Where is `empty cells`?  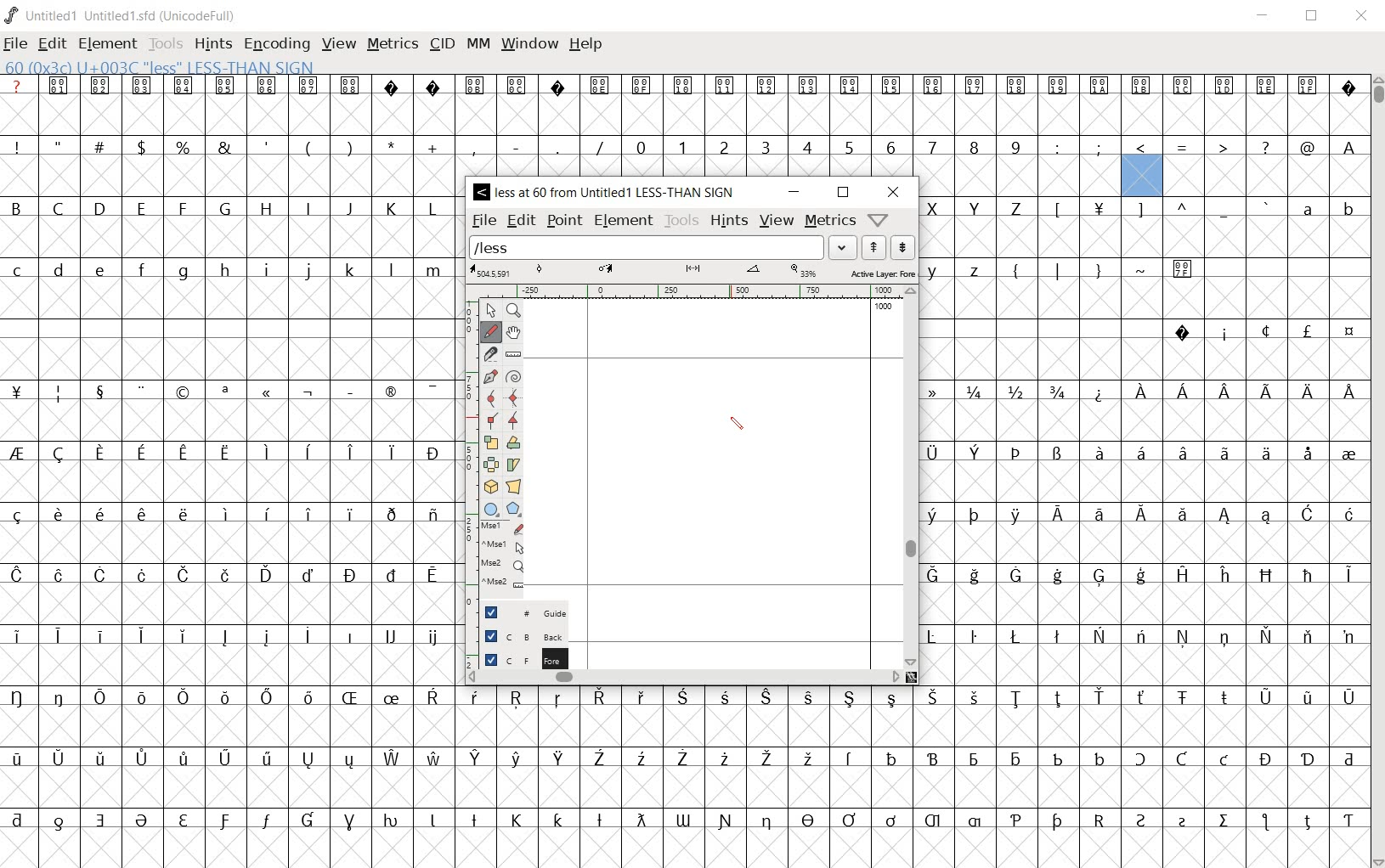 empty cells is located at coordinates (235, 482).